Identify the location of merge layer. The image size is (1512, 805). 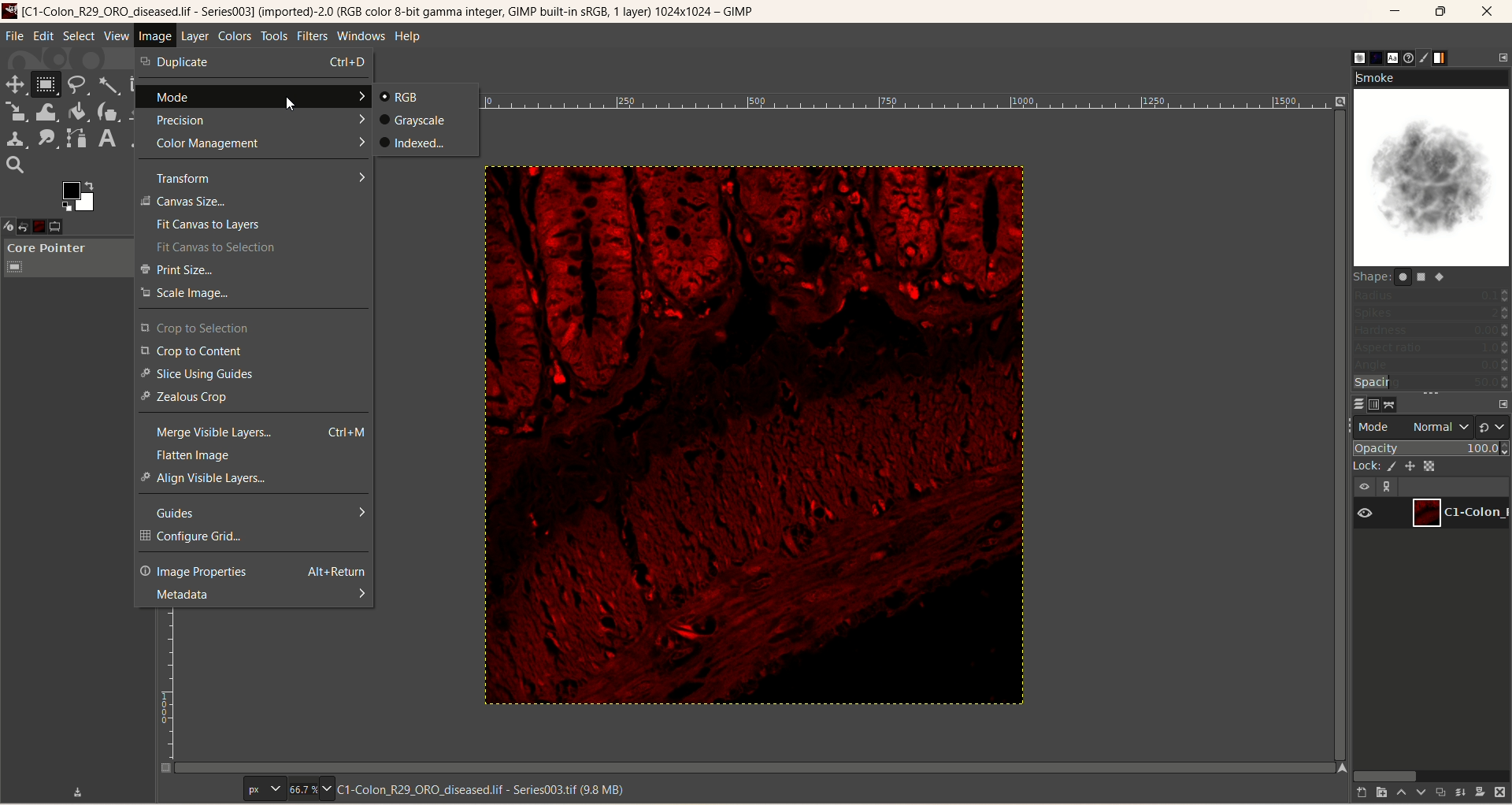
(1461, 795).